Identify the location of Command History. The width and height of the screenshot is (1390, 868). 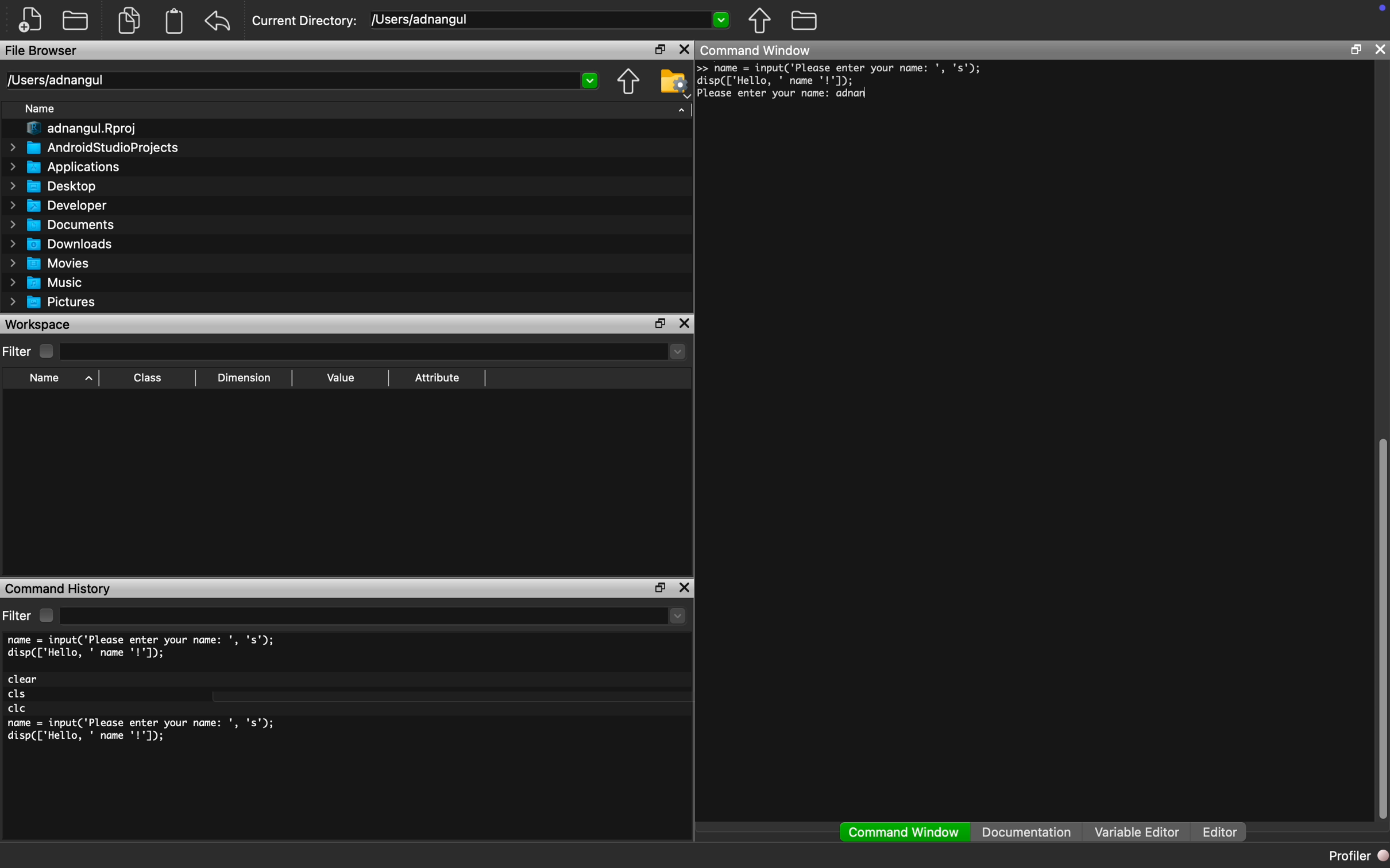
(58, 590).